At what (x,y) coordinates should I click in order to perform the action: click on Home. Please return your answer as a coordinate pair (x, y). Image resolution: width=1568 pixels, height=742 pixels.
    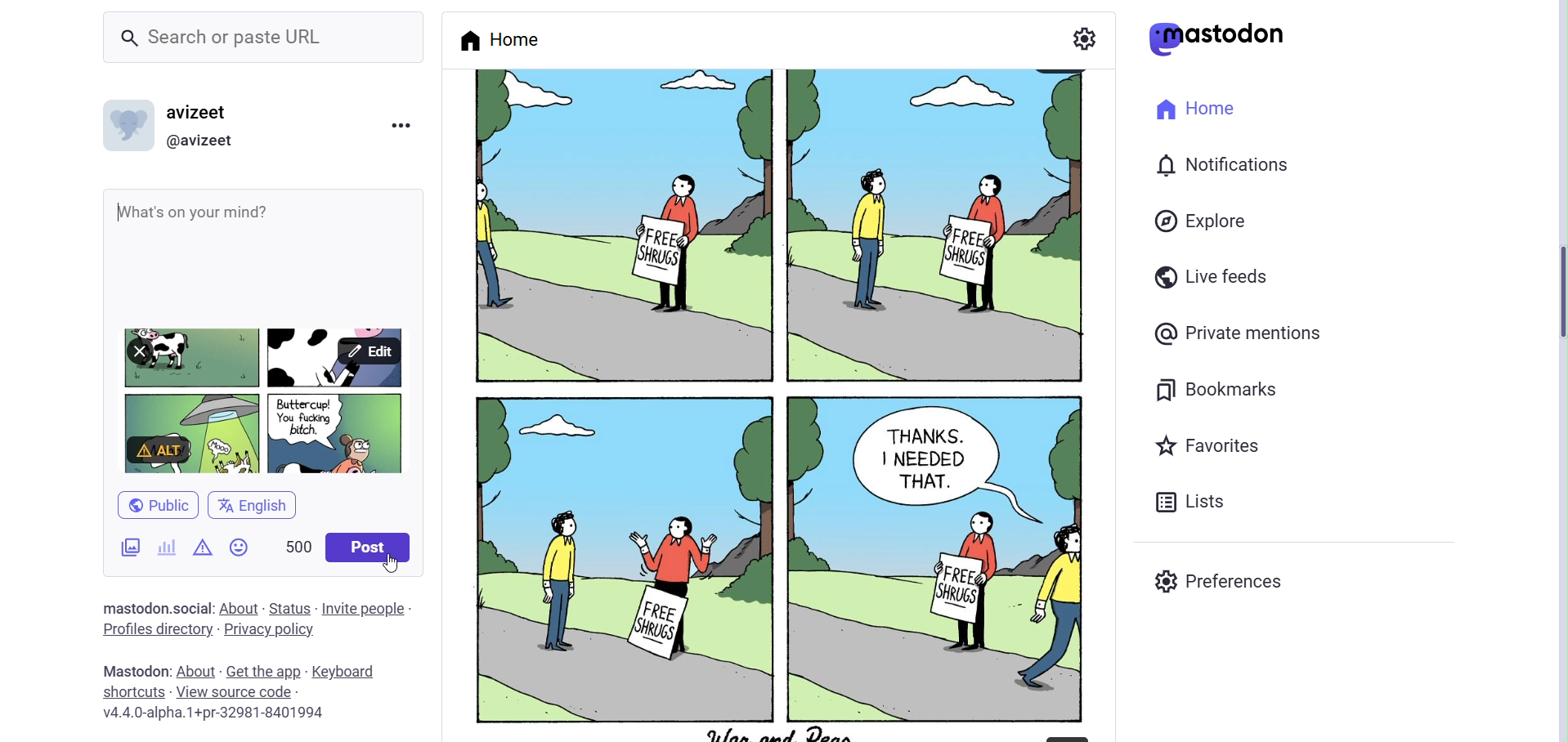
    Looking at the image, I should click on (500, 38).